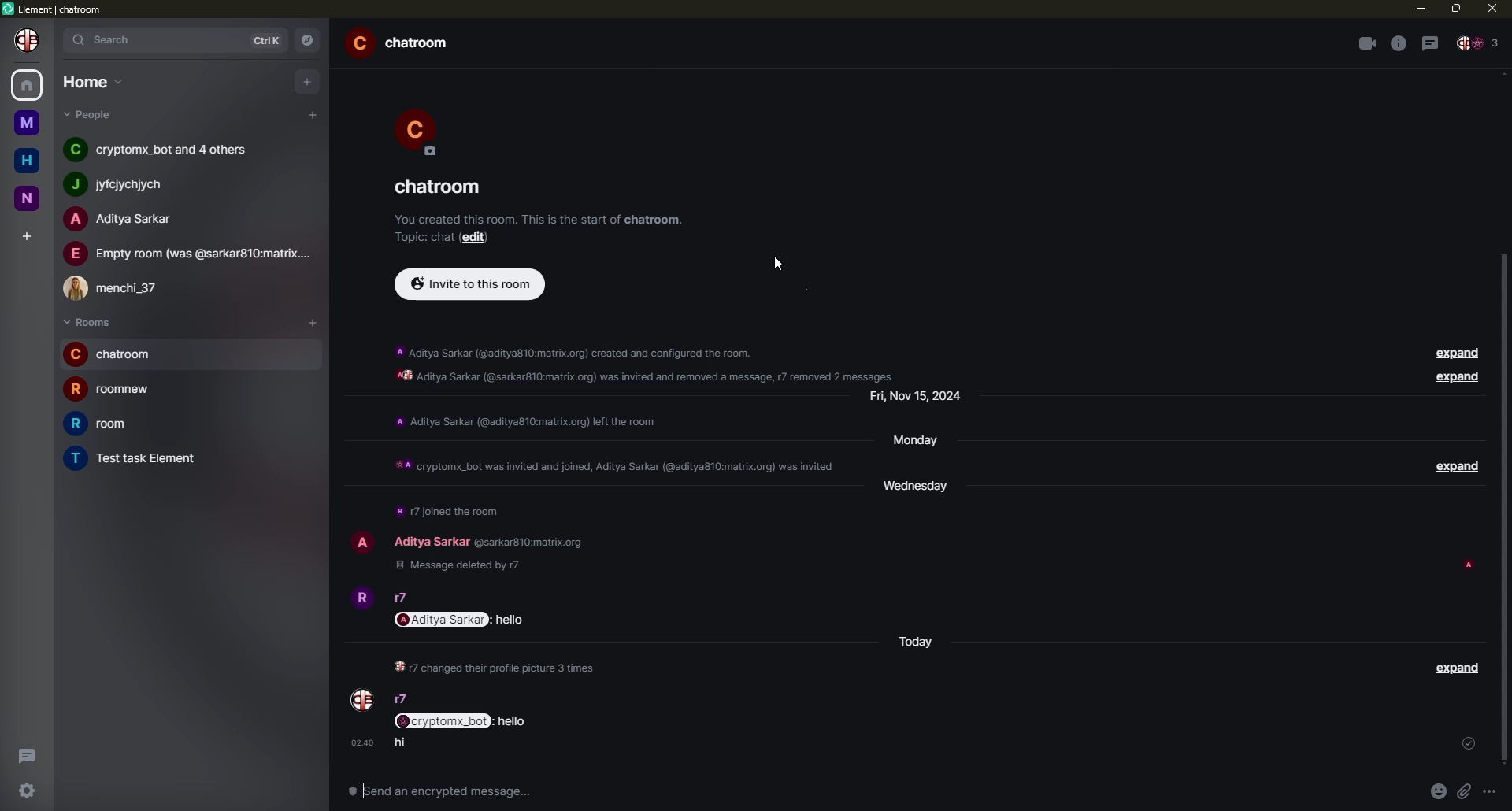 This screenshot has width=1512, height=811. Describe the element at coordinates (458, 720) in the screenshot. I see `messages` at that location.